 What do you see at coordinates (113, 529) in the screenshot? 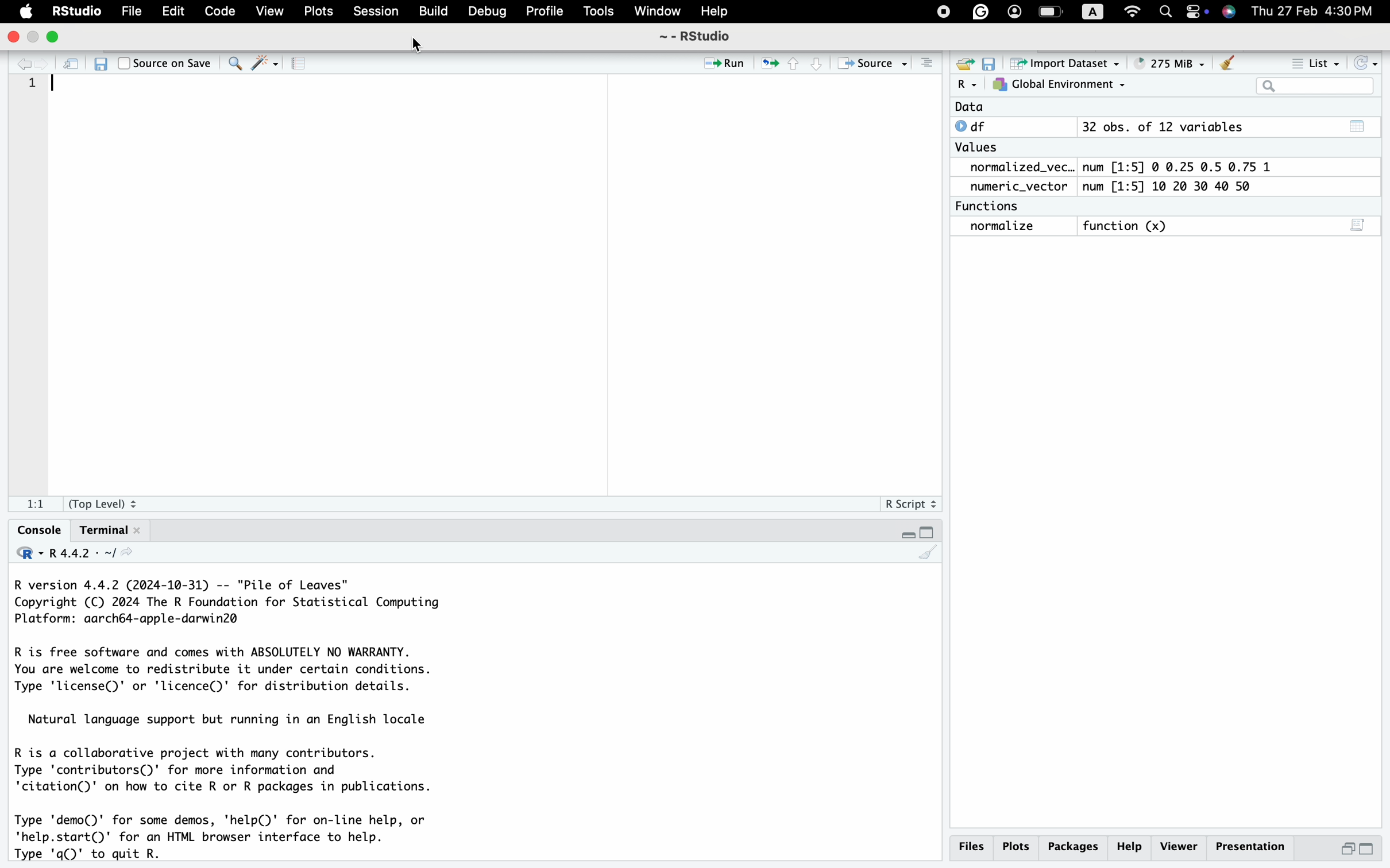
I see `terminal` at bounding box center [113, 529].